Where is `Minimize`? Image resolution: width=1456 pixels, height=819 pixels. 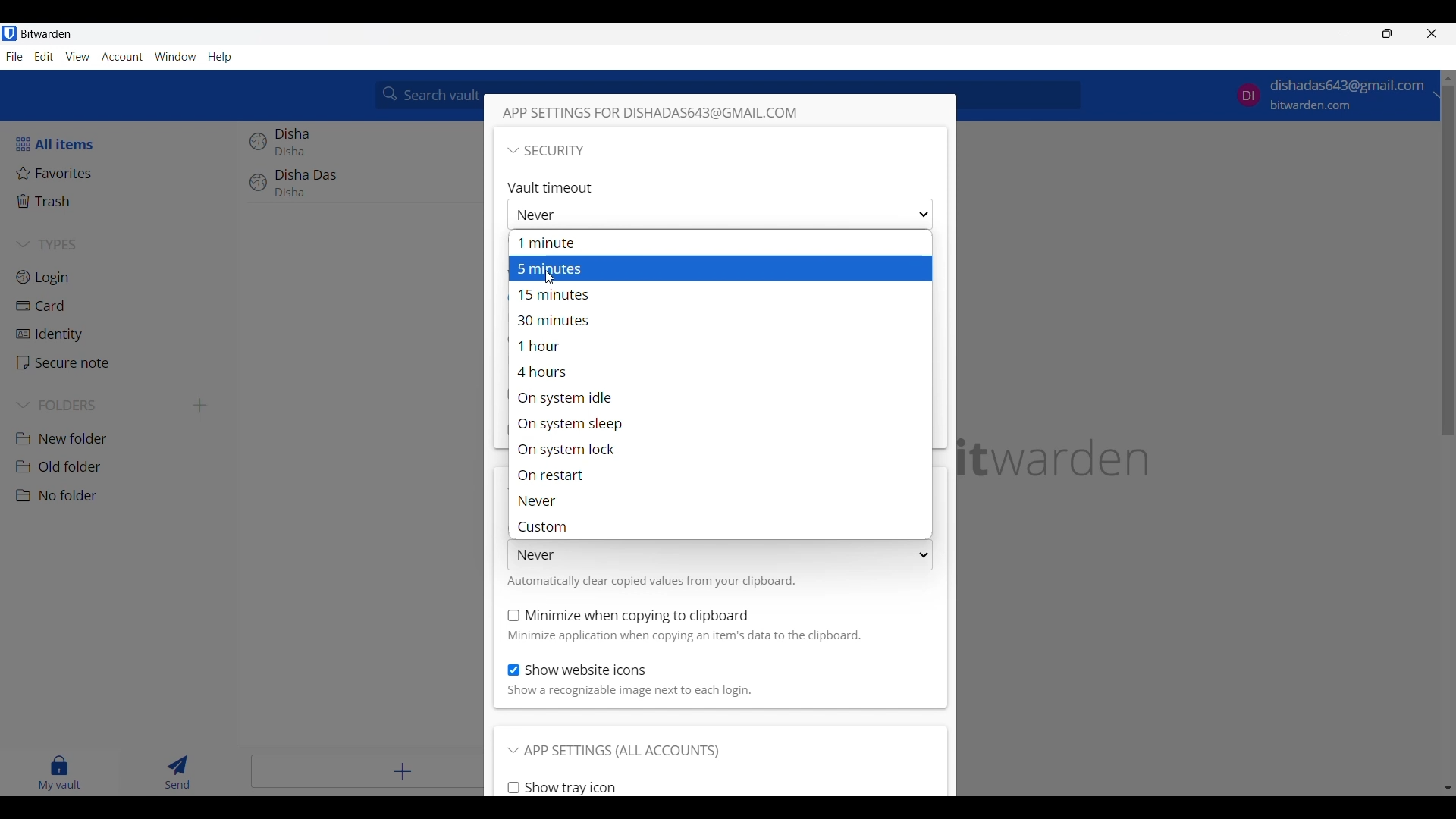 Minimize is located at coordinates (1344, 33).